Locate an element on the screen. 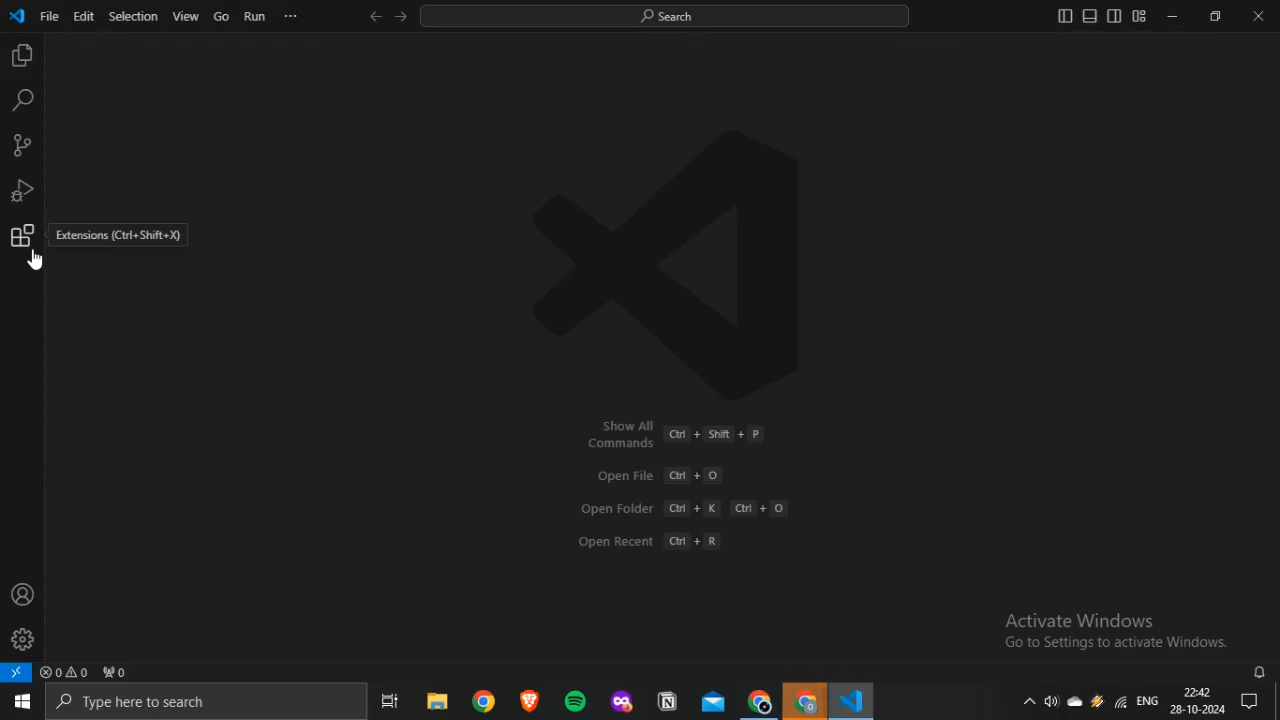  Selection is located at coordinates (132, 16).